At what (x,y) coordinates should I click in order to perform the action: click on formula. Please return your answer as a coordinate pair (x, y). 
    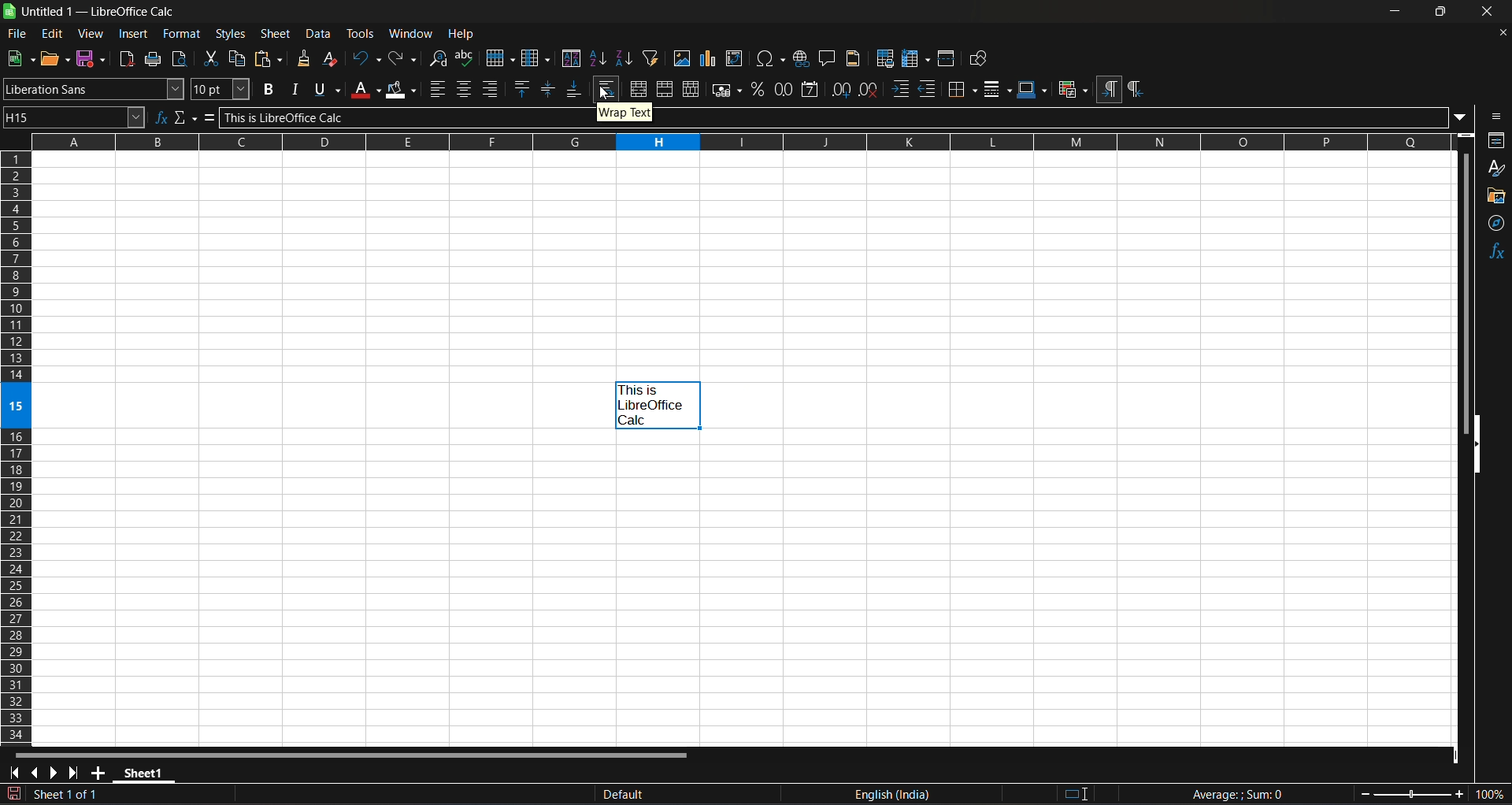
    Looking at the image, I should click on (206, 118).